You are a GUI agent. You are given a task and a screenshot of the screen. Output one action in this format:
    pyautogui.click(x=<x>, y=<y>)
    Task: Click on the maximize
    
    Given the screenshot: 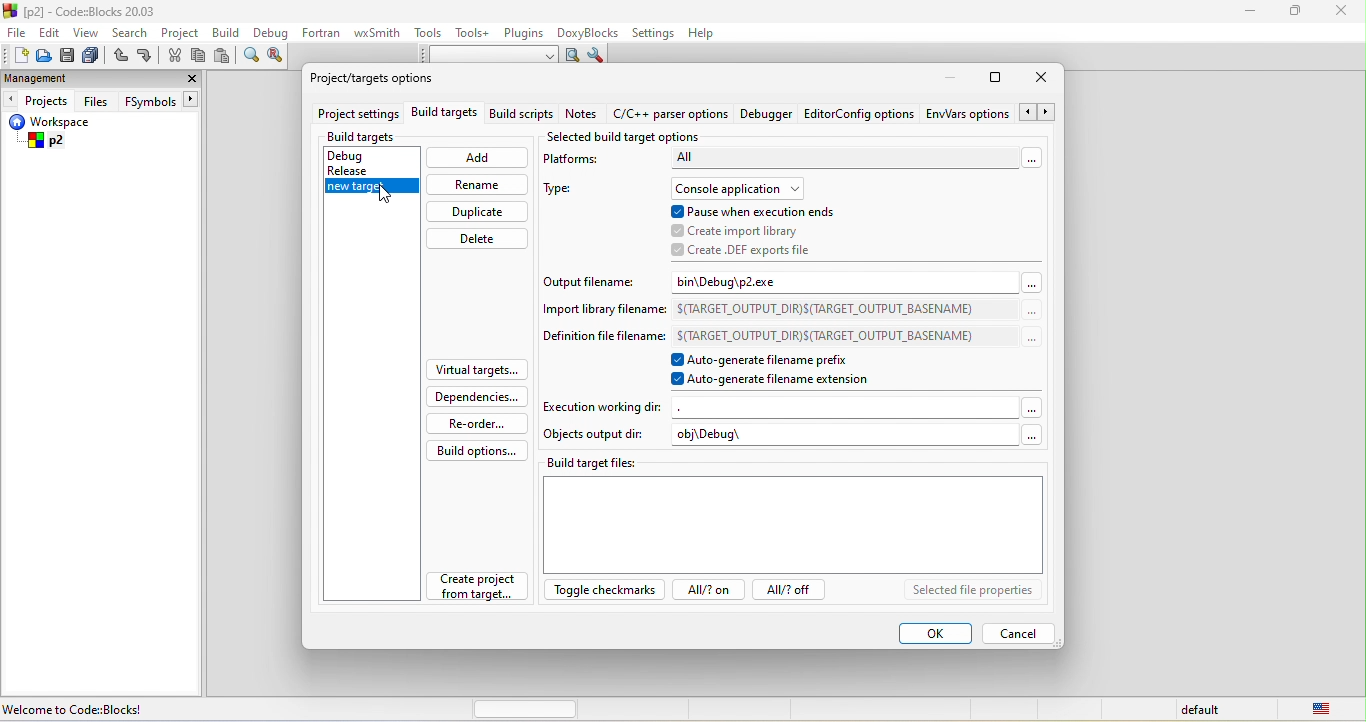 What is the action you would take?
    pyautogui.click(x=998, y=77)
    